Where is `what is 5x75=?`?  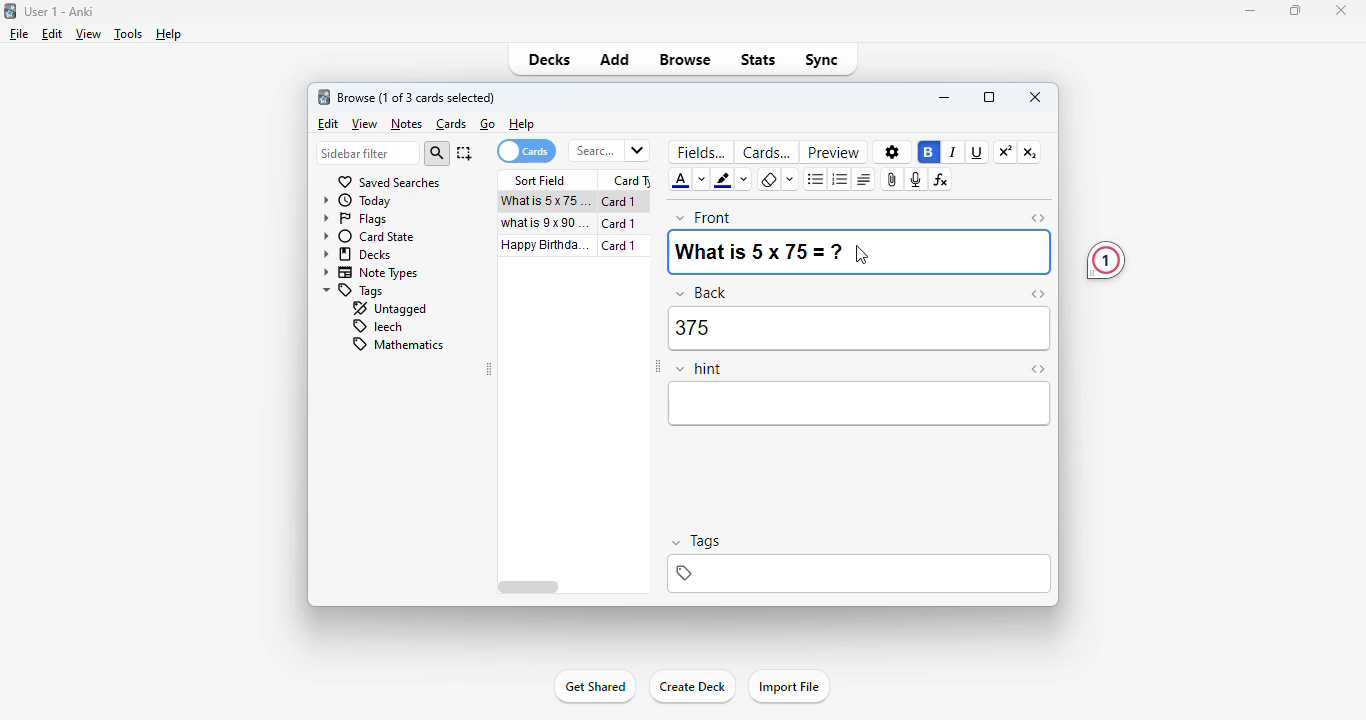
what is 5x75=? is located at coordinates (546, 201).